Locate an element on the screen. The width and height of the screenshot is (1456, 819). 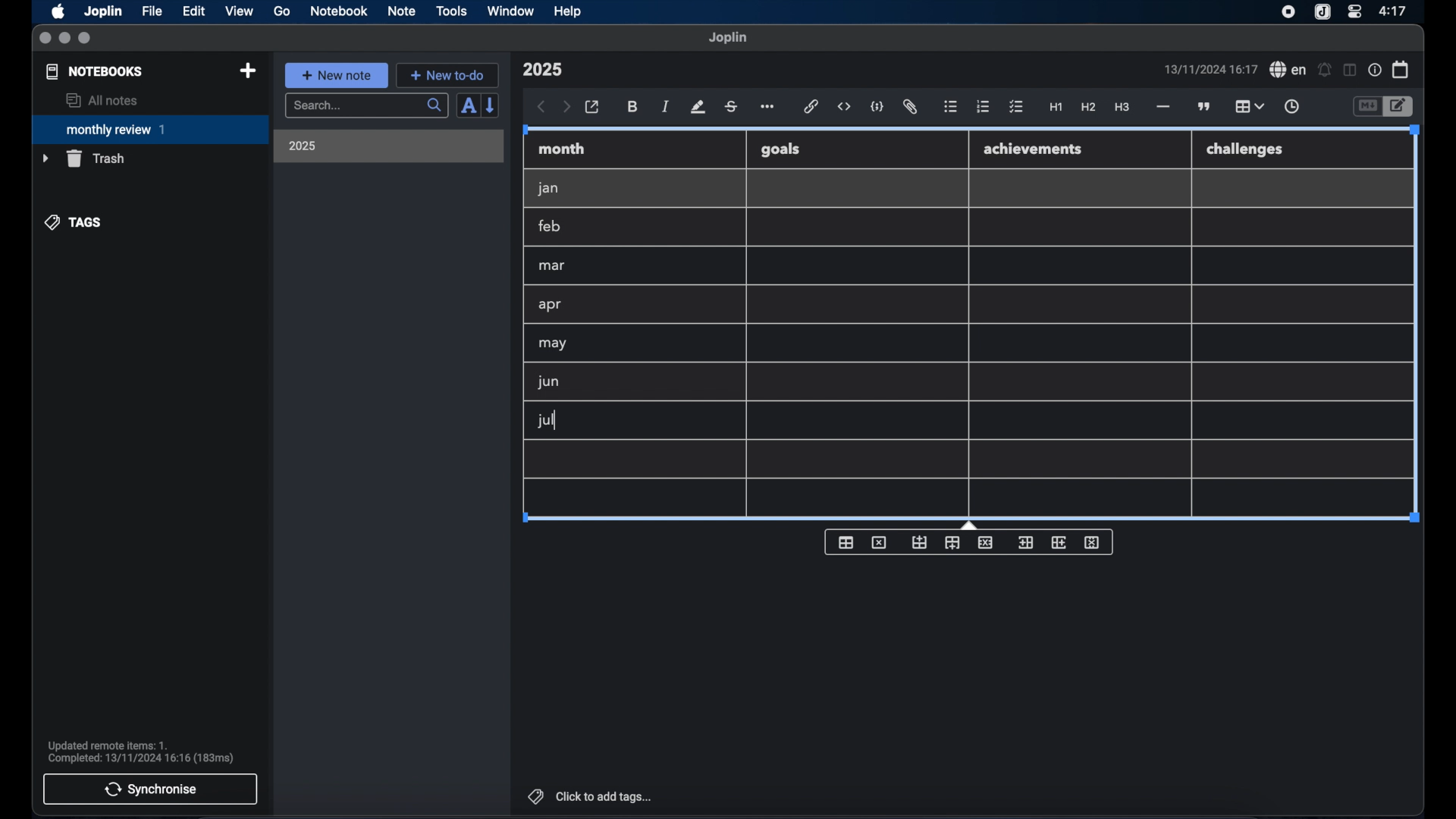
numbered list is located at coordinates (983, 106).